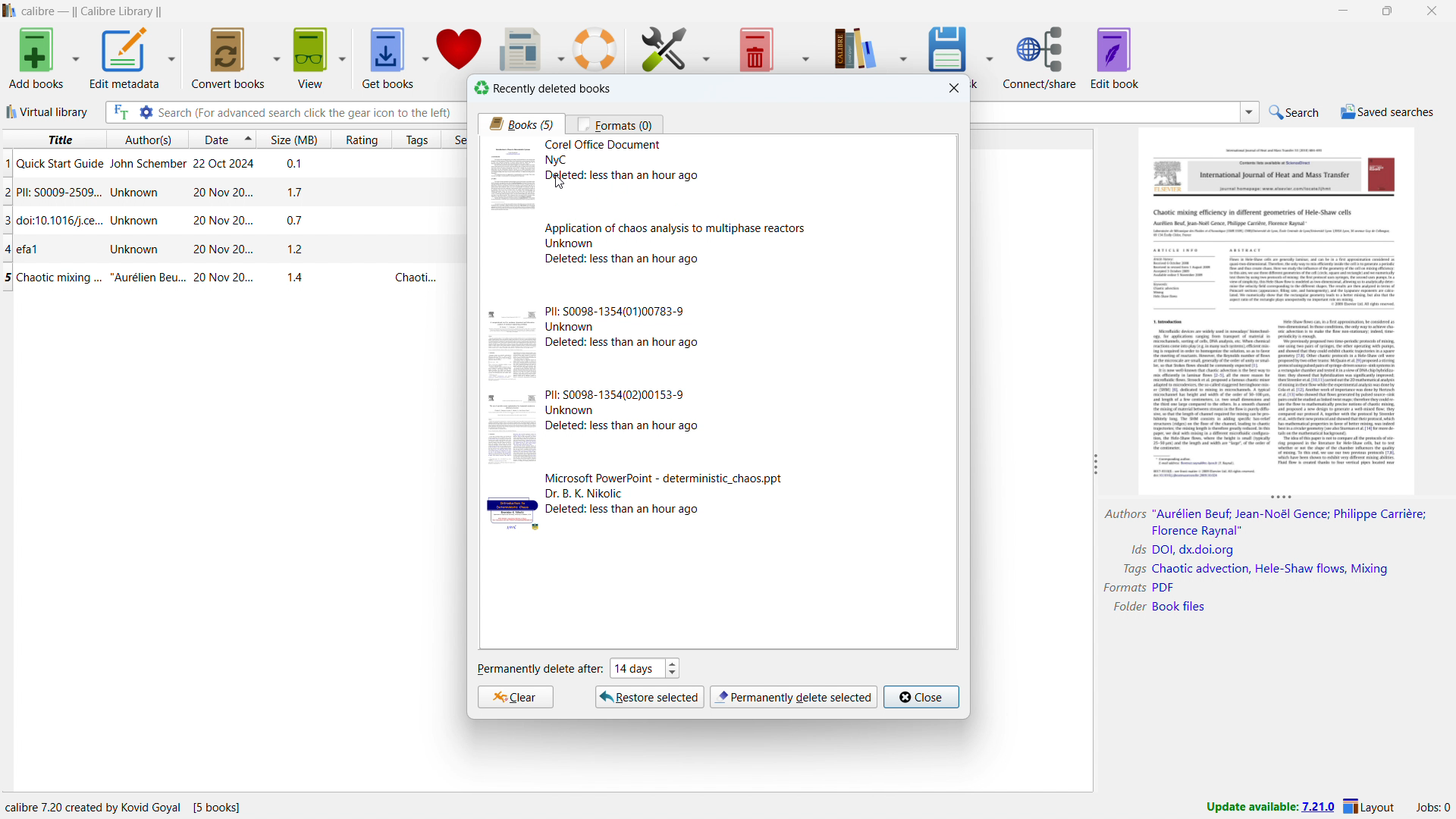 Image resolution: width=1456 pixels, height=819 pixels. Describe the element at coordinates (424, 57) in the screenshot. I see `get books options` at that location.